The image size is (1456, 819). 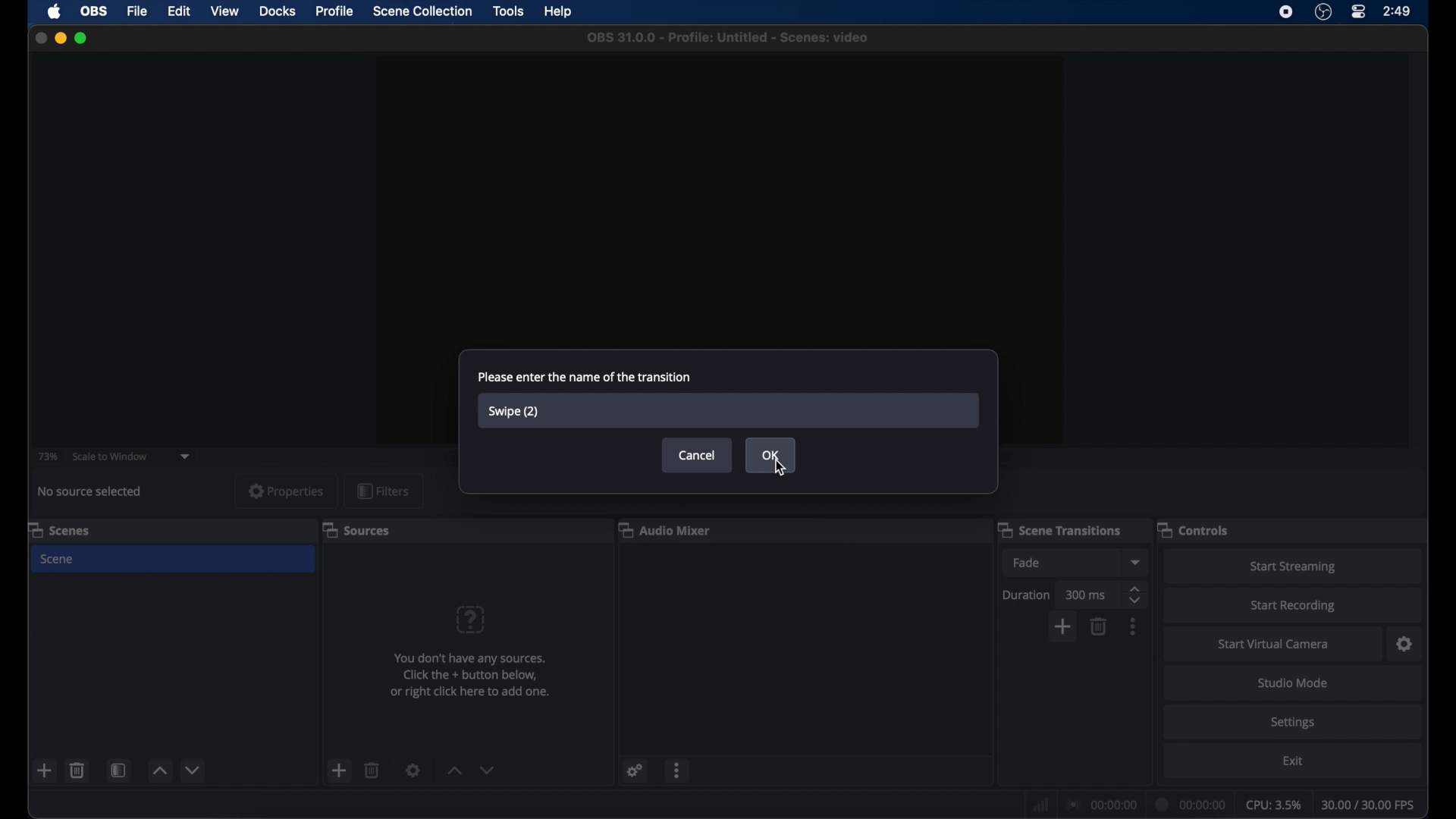 I want to click on add, so click(x=340, y=770).